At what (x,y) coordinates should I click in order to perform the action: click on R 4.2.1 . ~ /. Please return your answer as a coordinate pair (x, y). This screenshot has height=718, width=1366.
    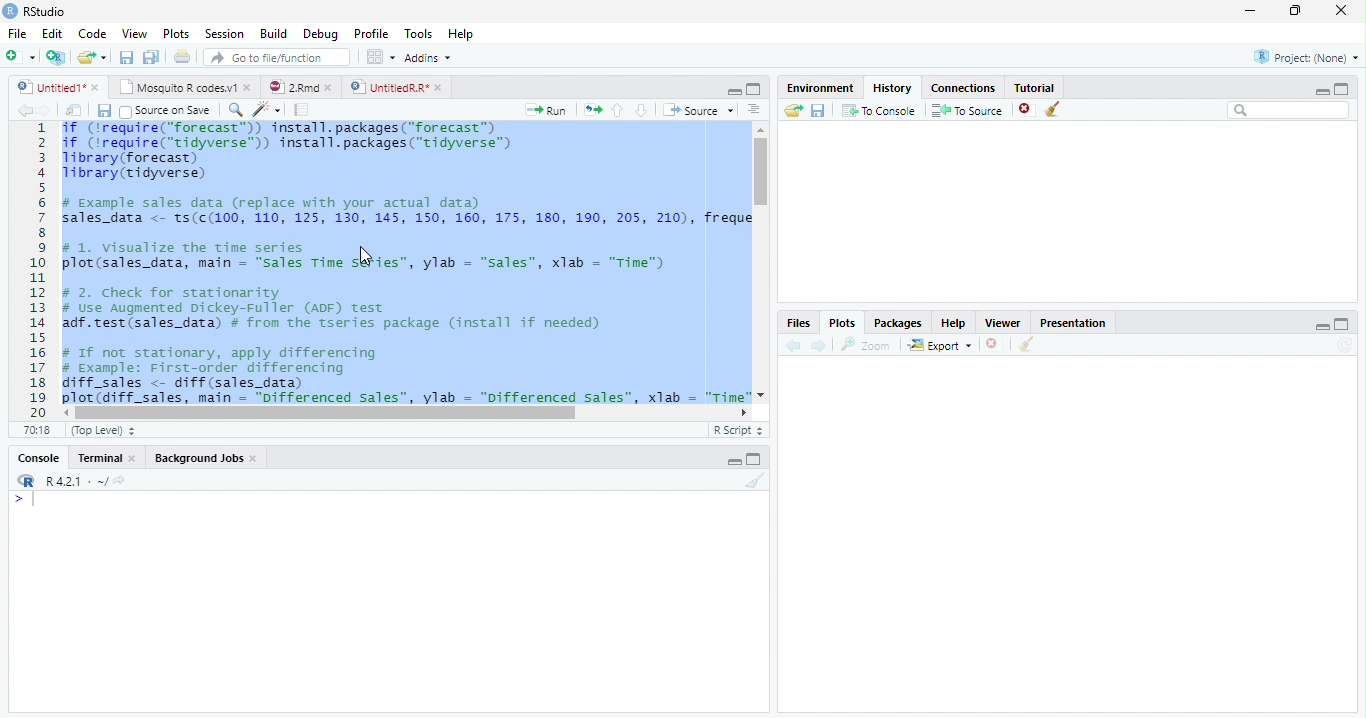
    Looking at the image, I should click on (76, 482).